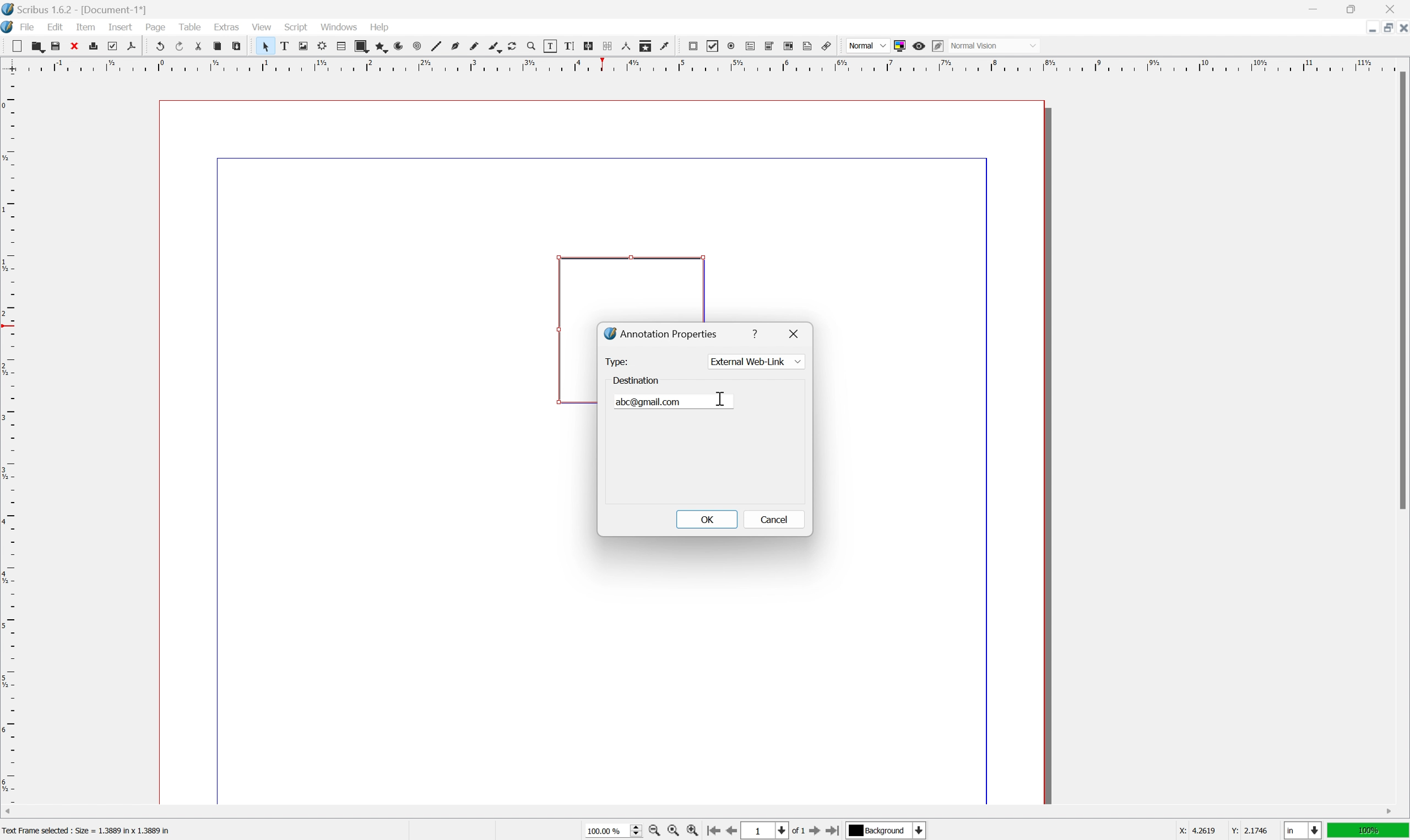 This screenshot has width=1410, height=840. I want to click on link annotation, so click(826, 46).